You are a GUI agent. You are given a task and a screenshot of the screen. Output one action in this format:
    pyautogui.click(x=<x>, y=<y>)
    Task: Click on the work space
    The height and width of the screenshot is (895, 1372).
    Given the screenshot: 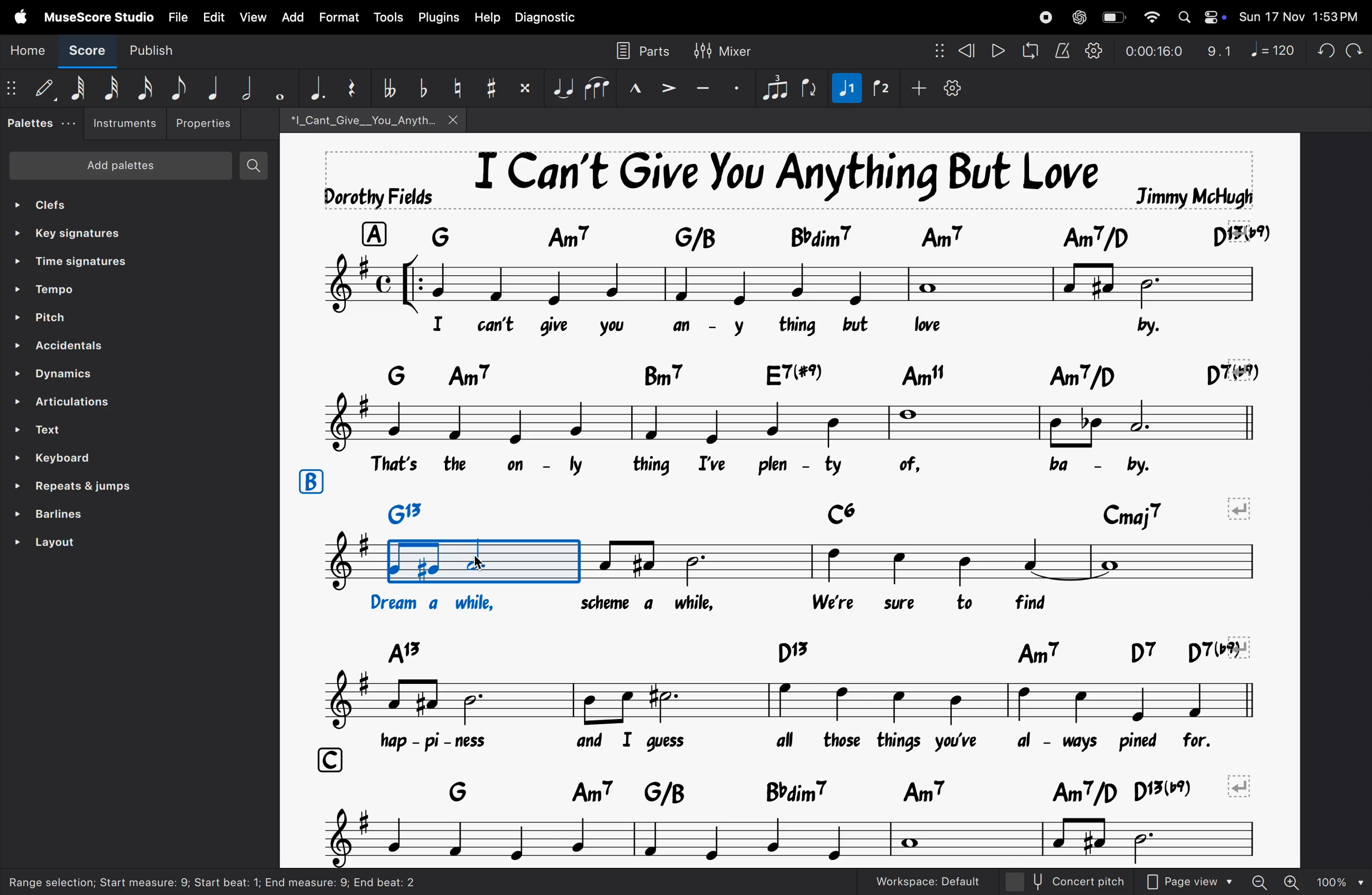 What is the action you would take?
    pyautogui.click(x=944, y=881)
    